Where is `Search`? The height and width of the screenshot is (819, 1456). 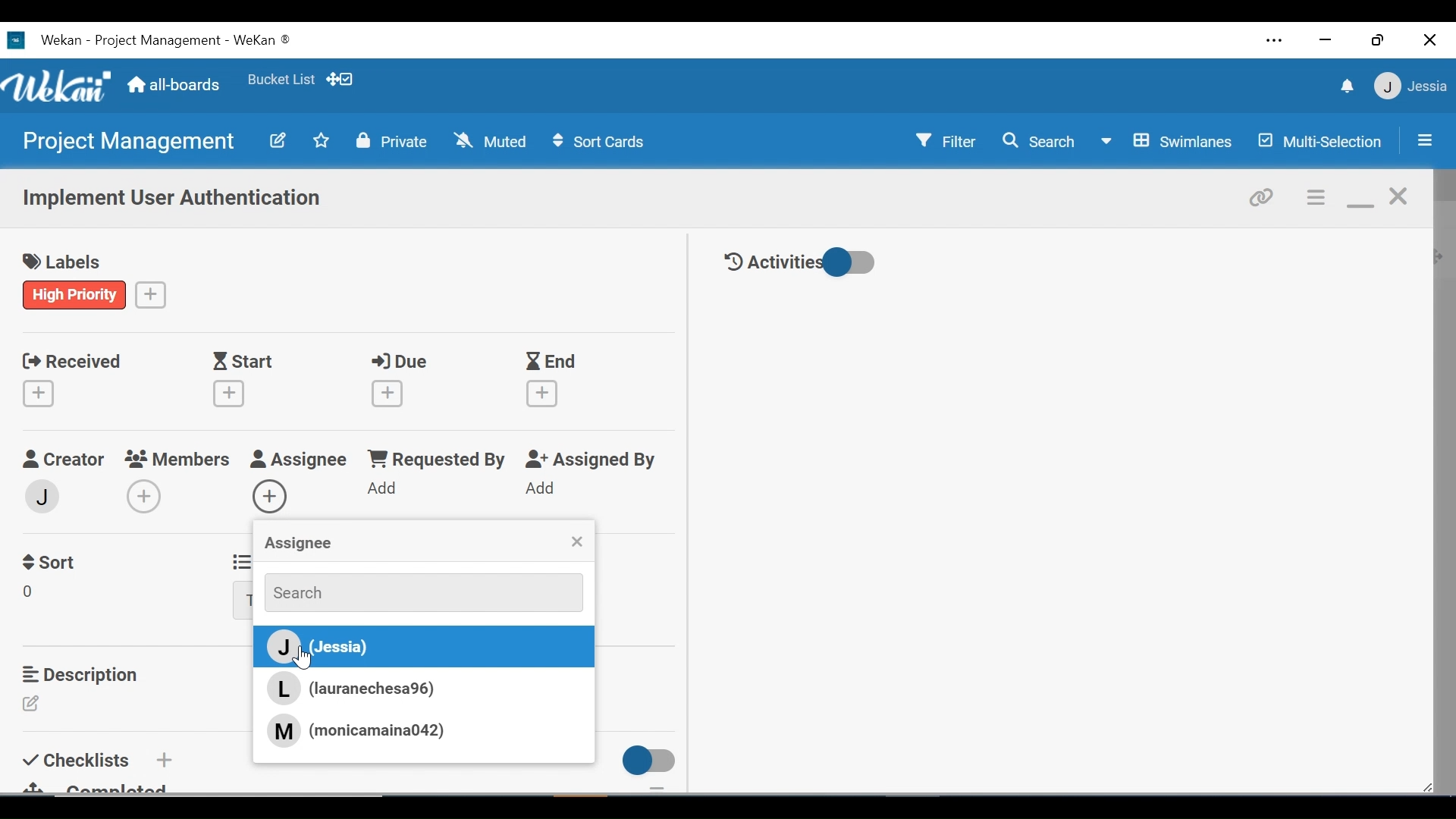
Search is located at coordinates (1038, 141).